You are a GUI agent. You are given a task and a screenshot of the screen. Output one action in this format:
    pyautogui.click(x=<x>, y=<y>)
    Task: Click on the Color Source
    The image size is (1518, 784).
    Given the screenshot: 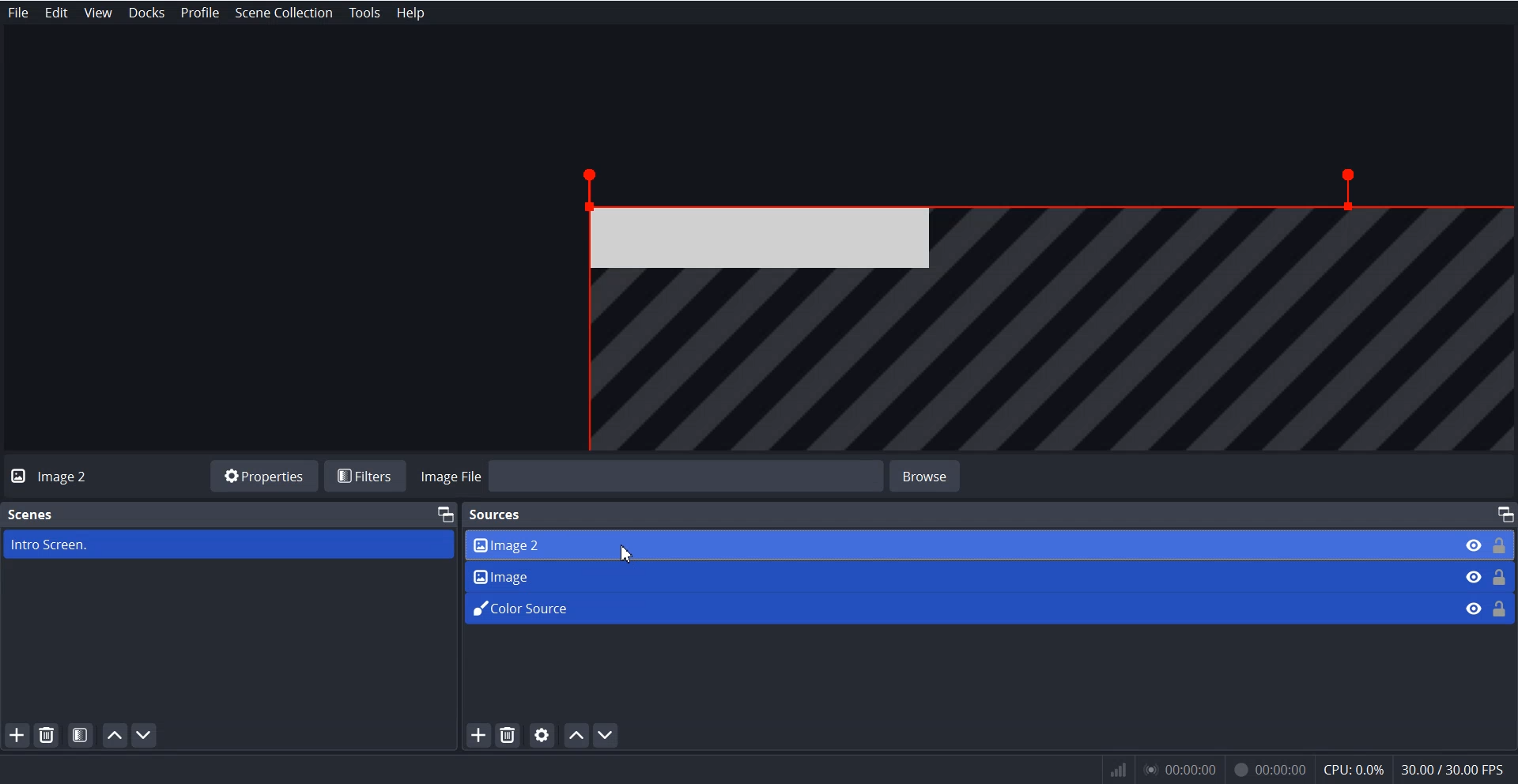 What is the action you would take?
    pyautogui.click(x=955, y=606)
    